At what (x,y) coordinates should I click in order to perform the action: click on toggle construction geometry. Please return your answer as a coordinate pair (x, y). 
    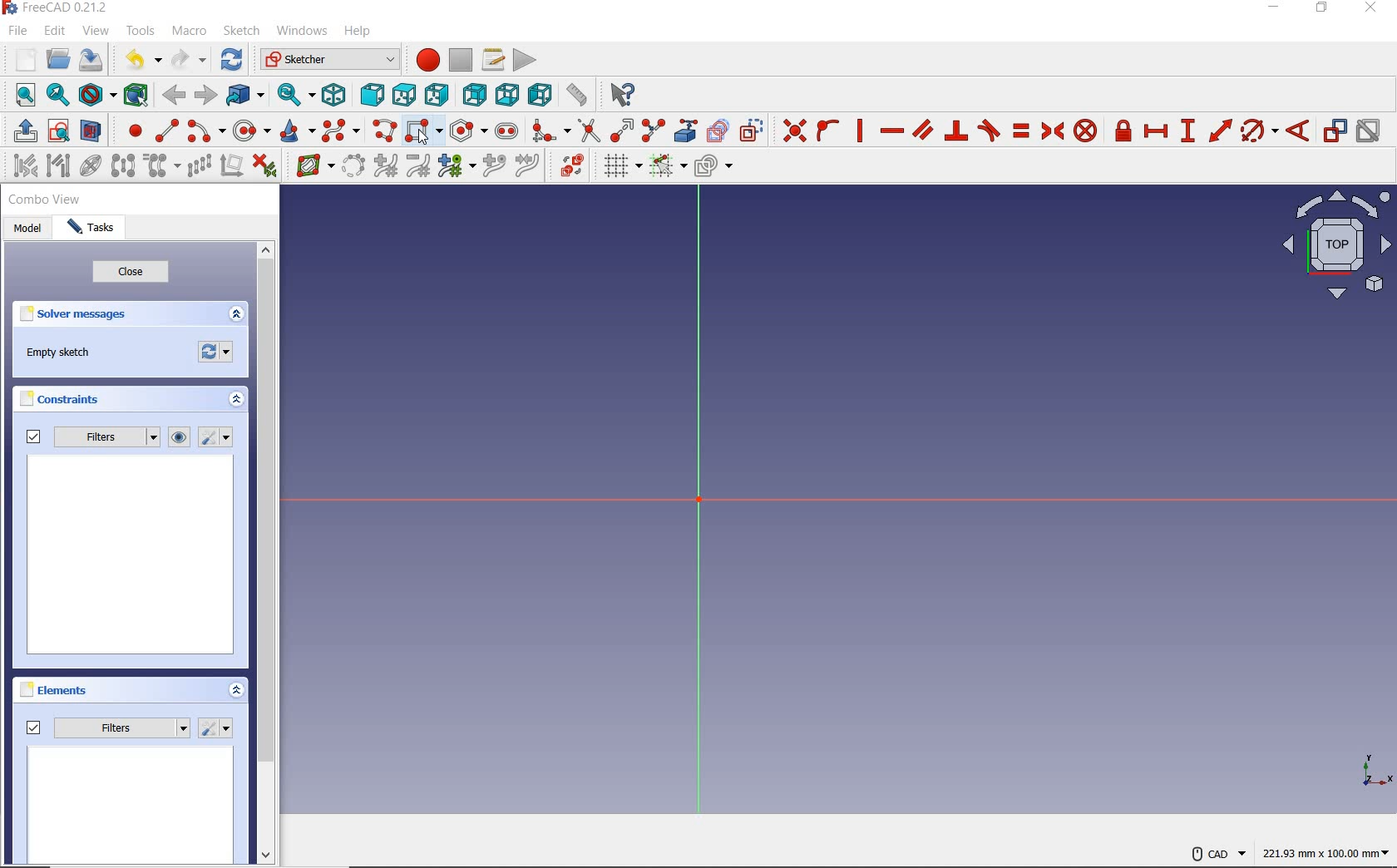
    Looking at the image, I should click on (753, 131).